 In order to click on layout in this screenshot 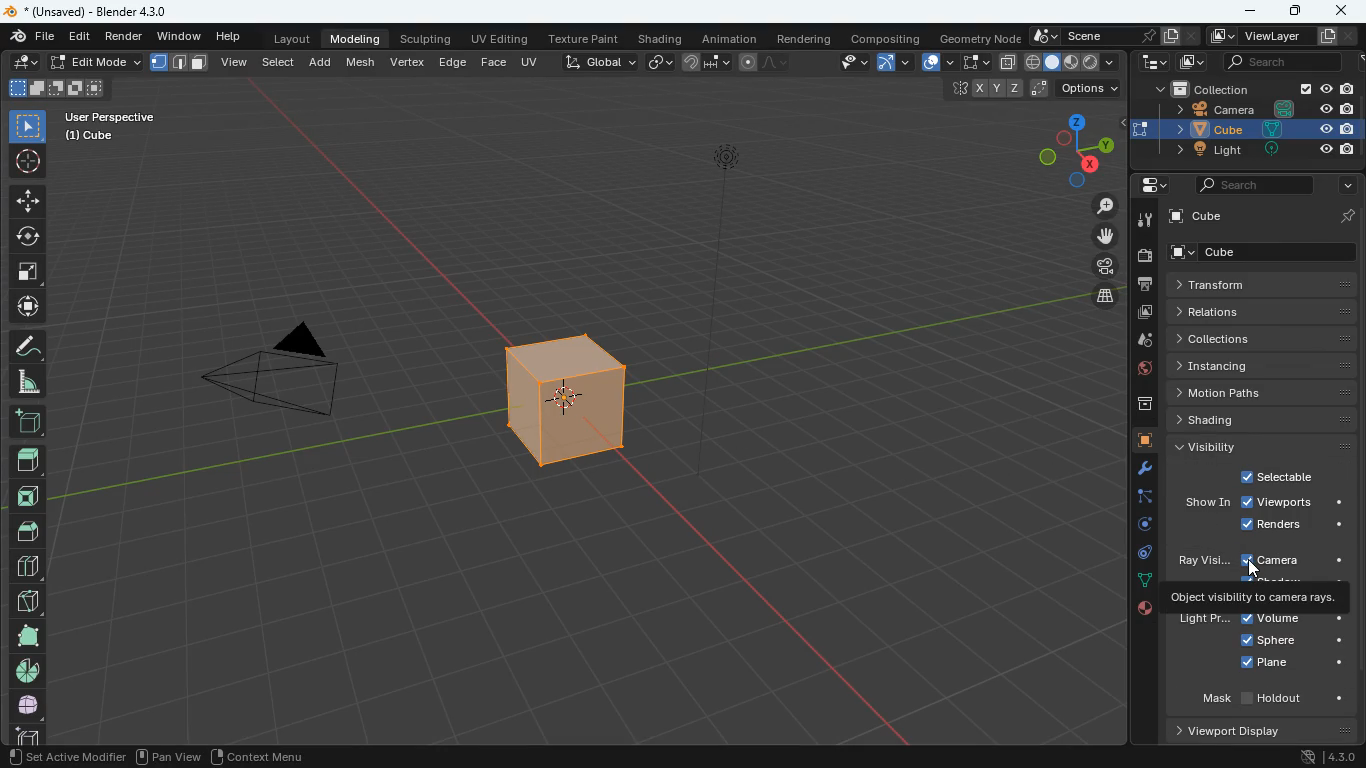, I will do `click(287, 39)`.